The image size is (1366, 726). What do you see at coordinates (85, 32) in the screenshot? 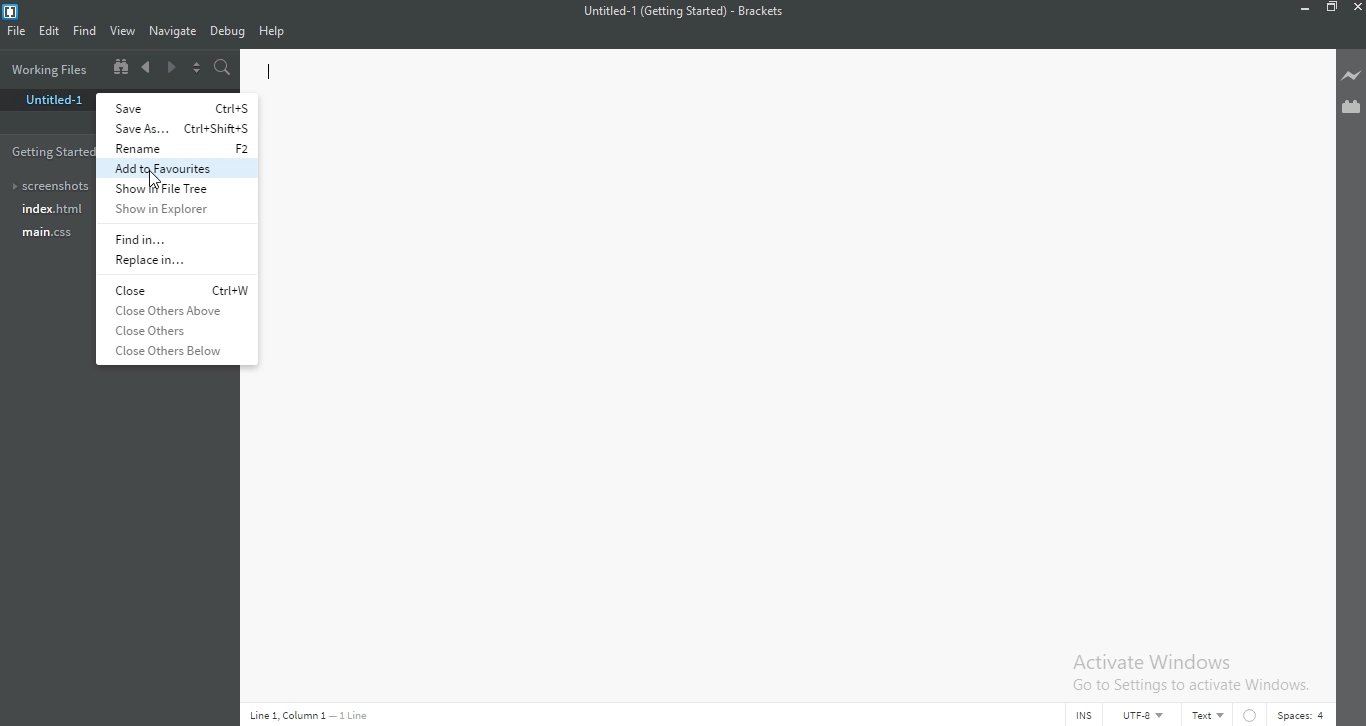
I see `Find` at bounding box center [85, 32].